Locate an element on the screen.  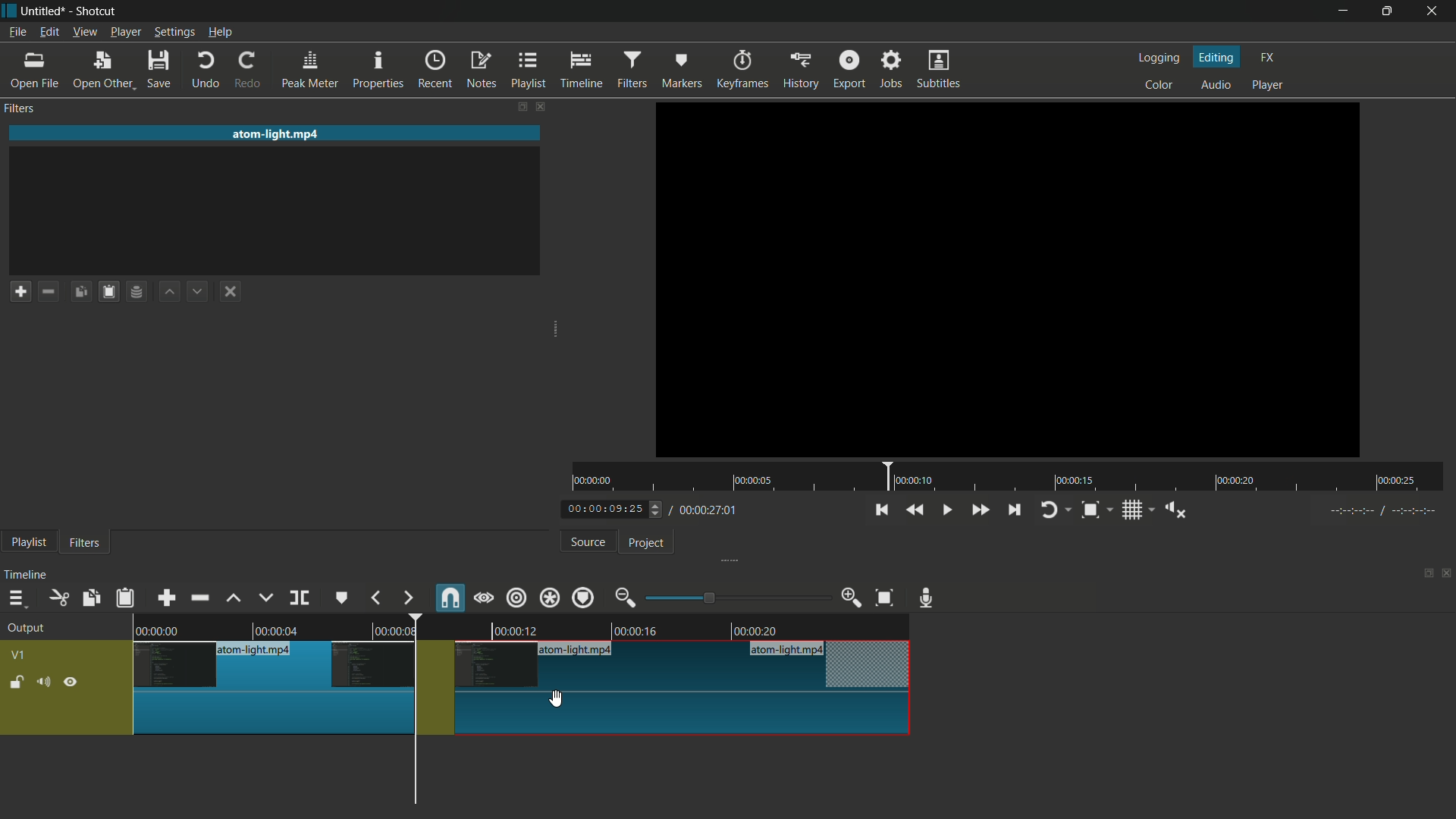
playlist is located at coordinates (28, 544).